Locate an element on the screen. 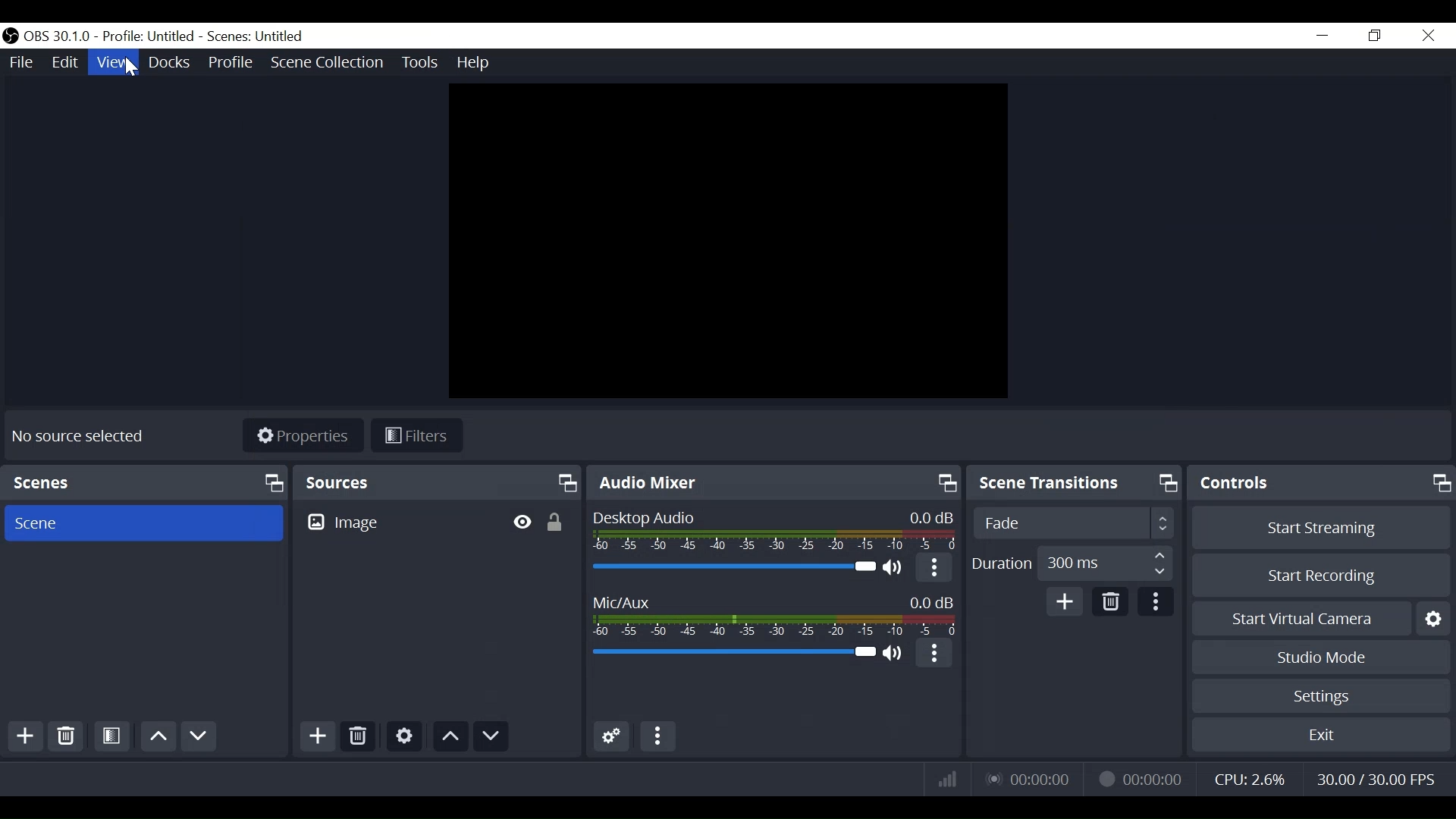 This screenshot has height=819, width=1456. Properties is located at coordinates (303, 437).